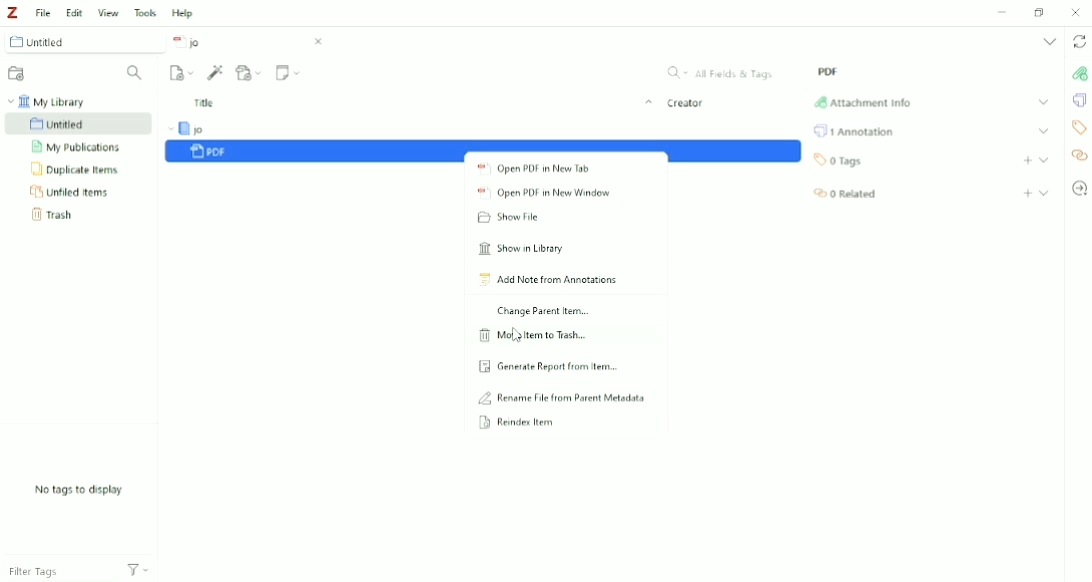 This screenshot has height=582, width=1092. I want to click on Move Item to Trash, so click(544, 337).